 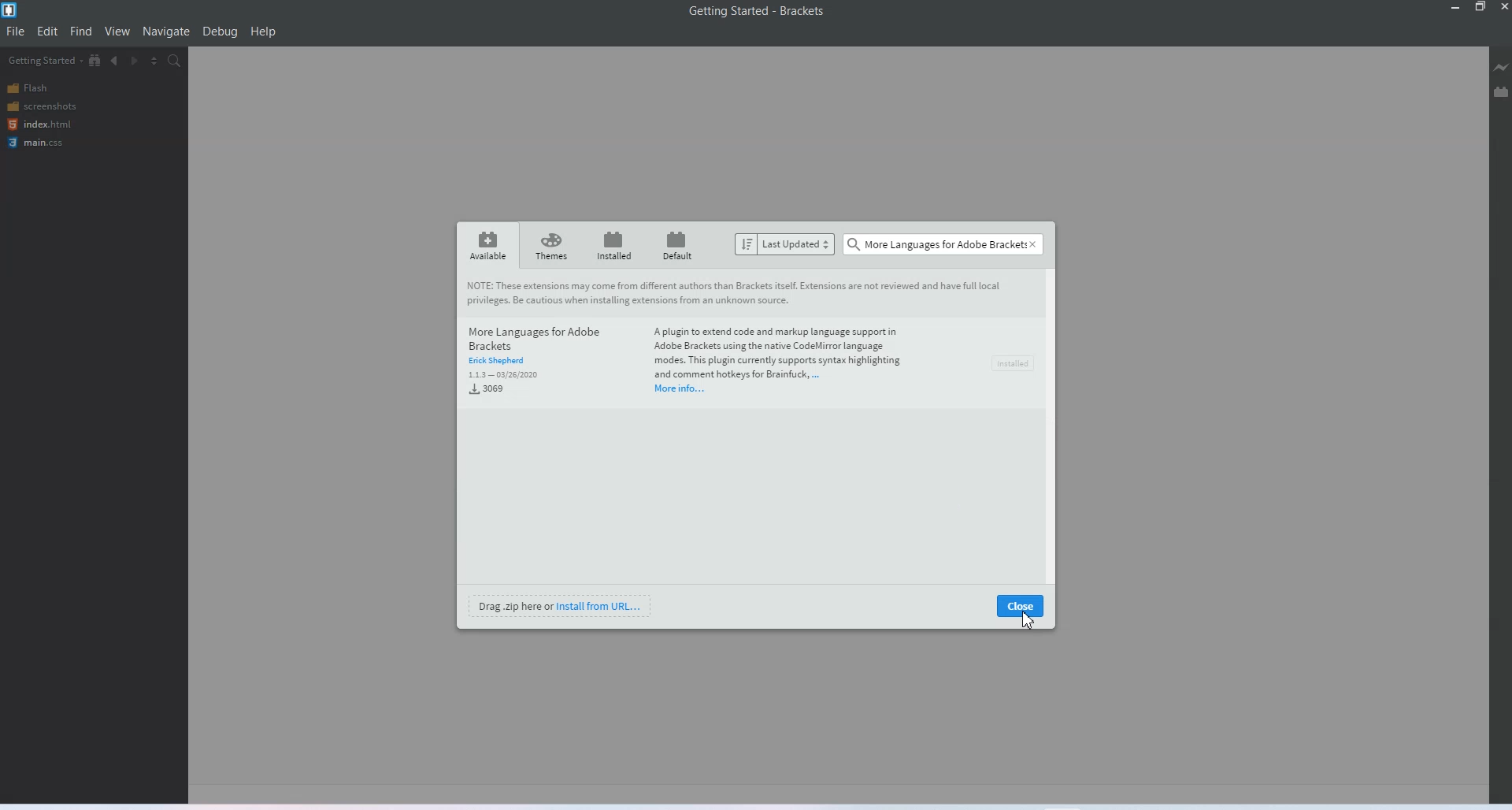 I want to click on Getting started, so click(x=719, y=10).